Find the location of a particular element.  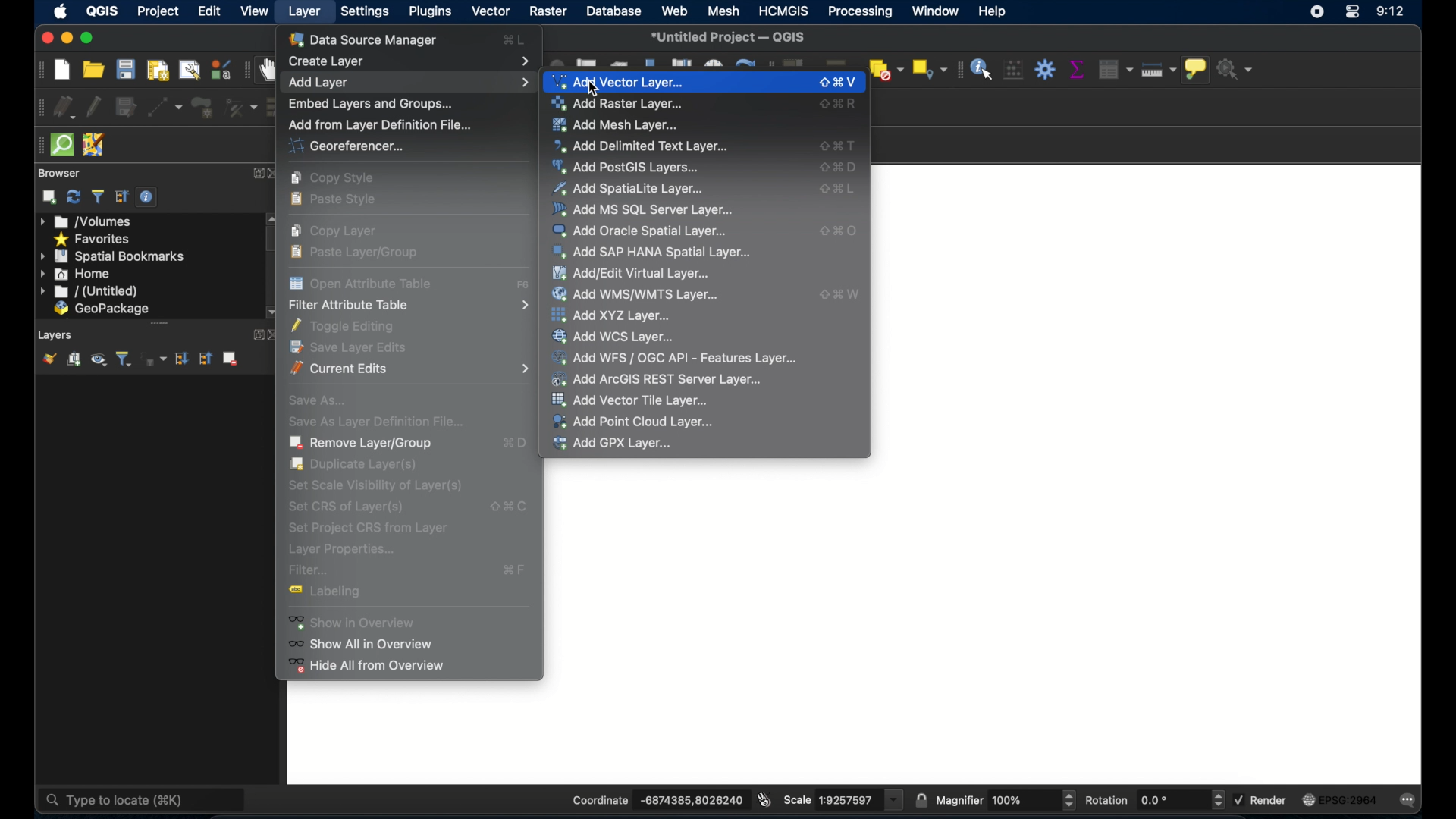

settings is located at coordinates (363, 11).